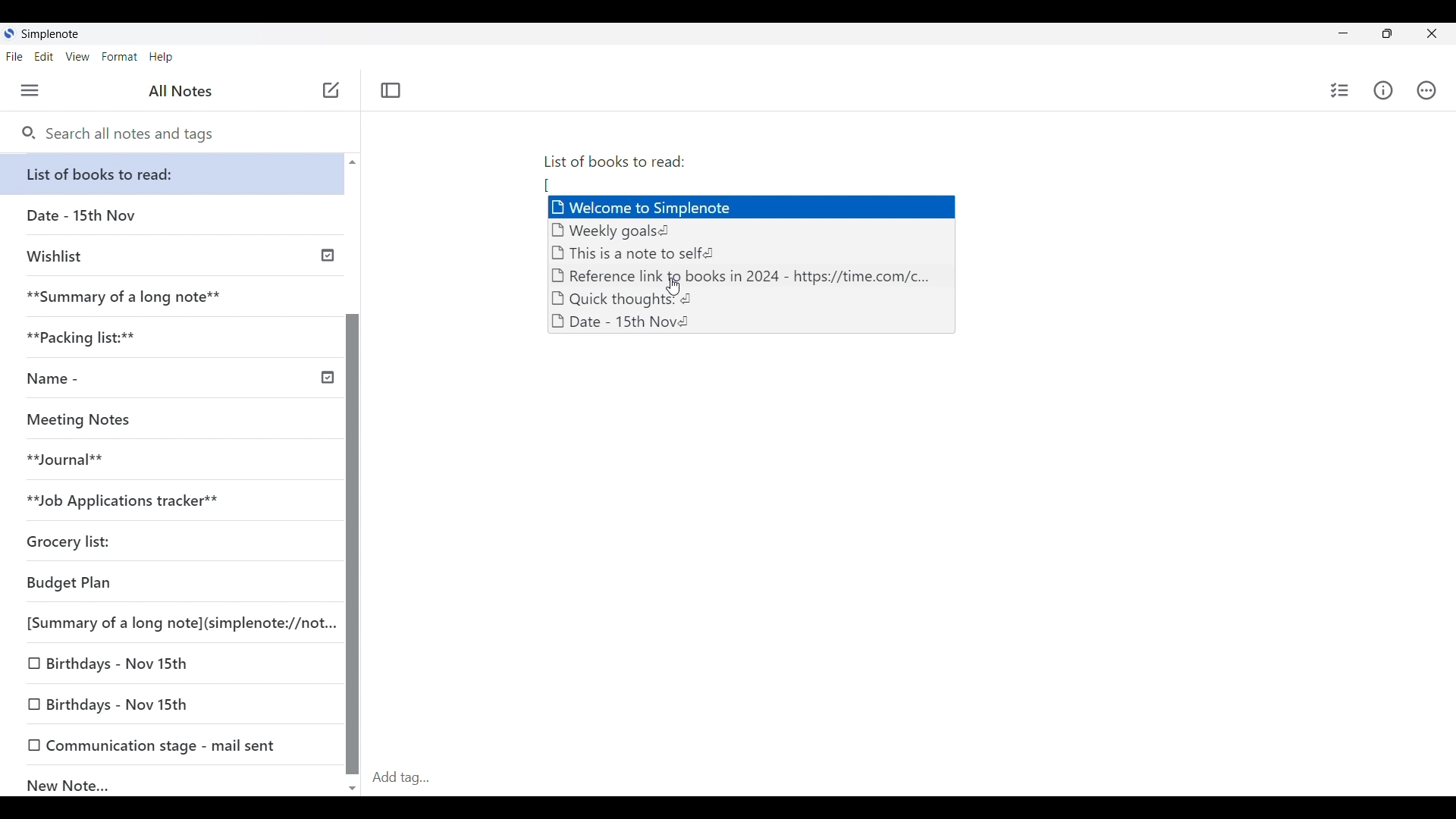 The height and width of the screenshot is (819, 1456). I want to click on Wishlist, so click(176, 254).